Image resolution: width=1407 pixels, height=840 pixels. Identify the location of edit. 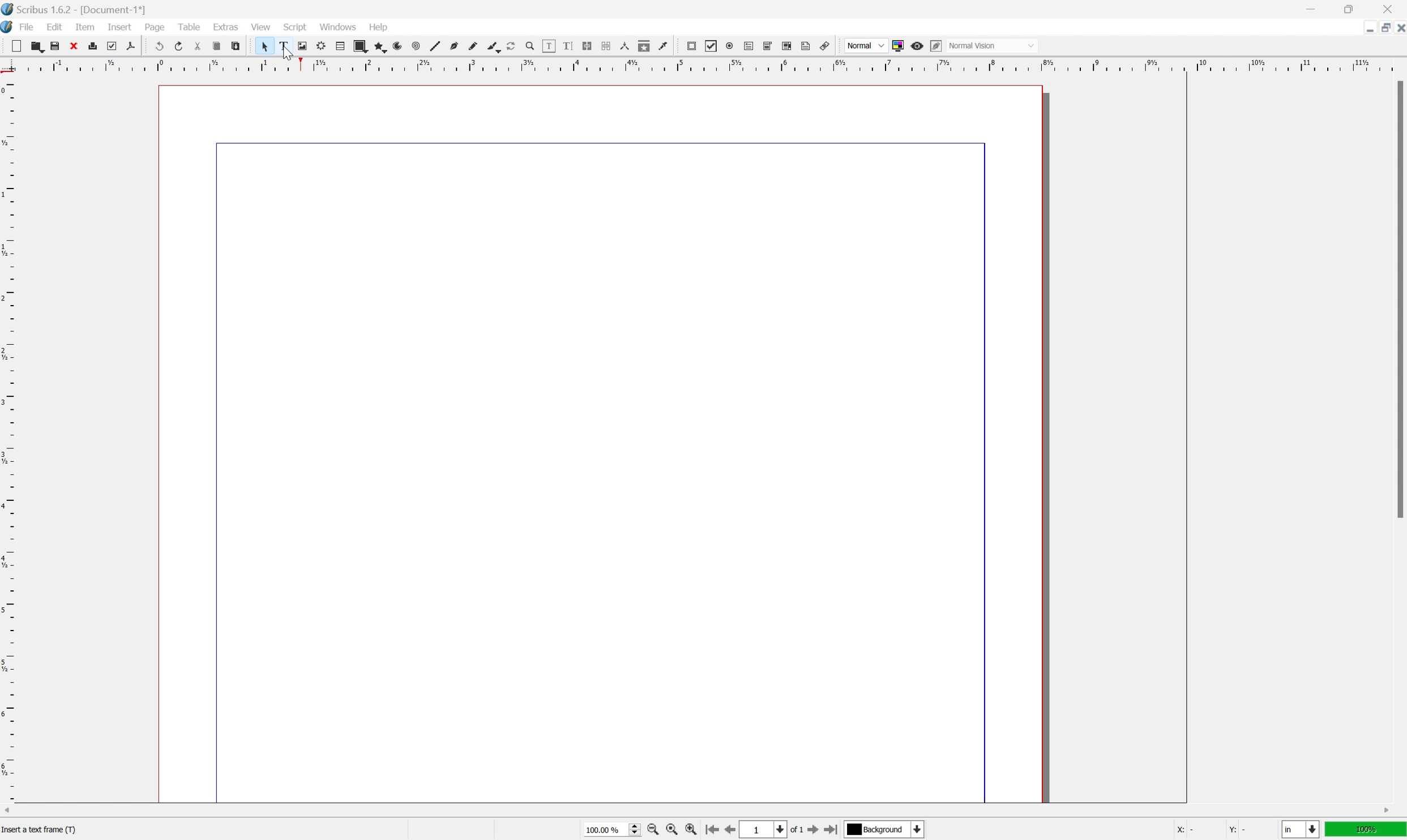
(54, 27).